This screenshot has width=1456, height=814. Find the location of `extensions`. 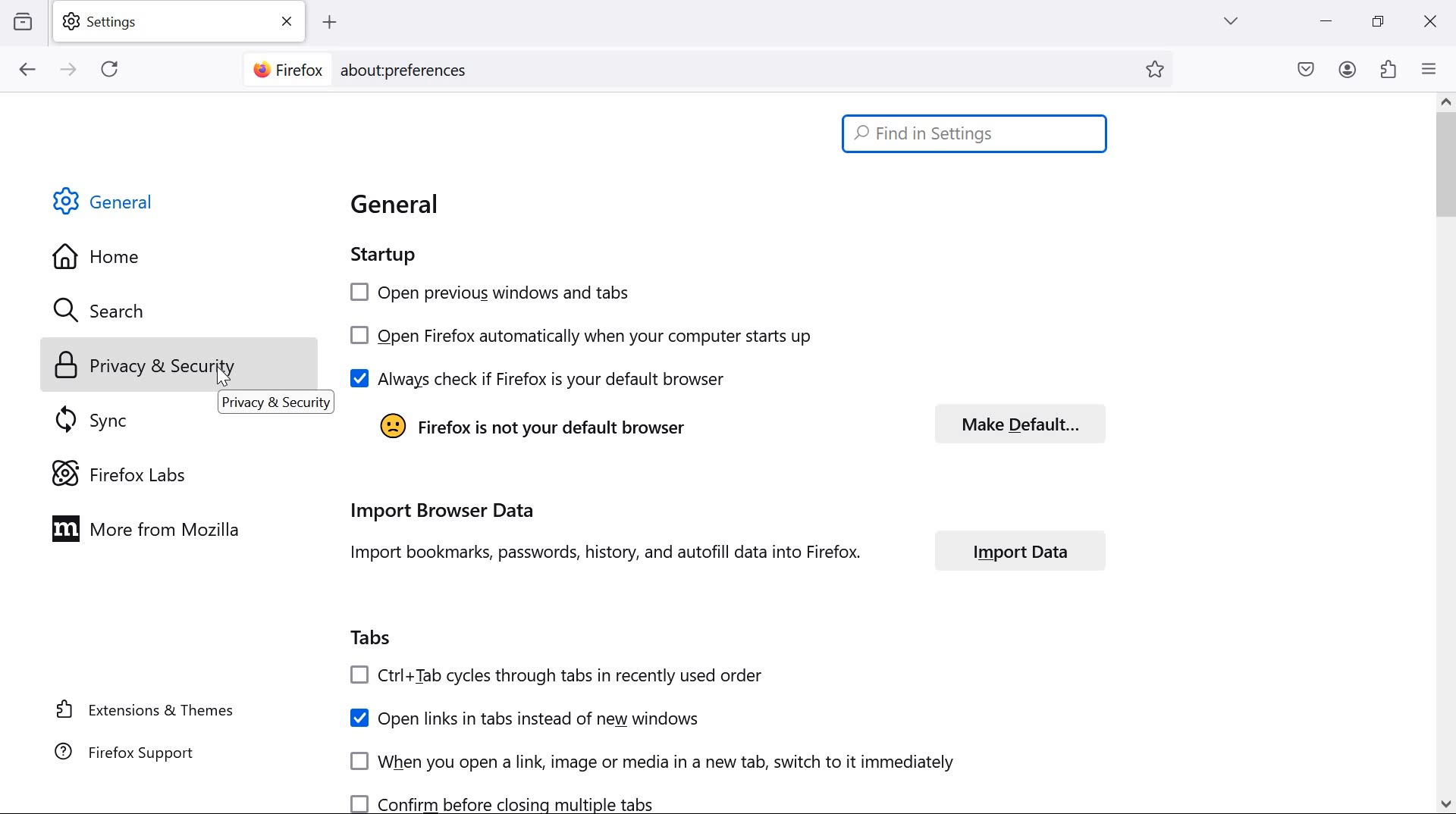

extensions is located at coordinates (1389, 68).